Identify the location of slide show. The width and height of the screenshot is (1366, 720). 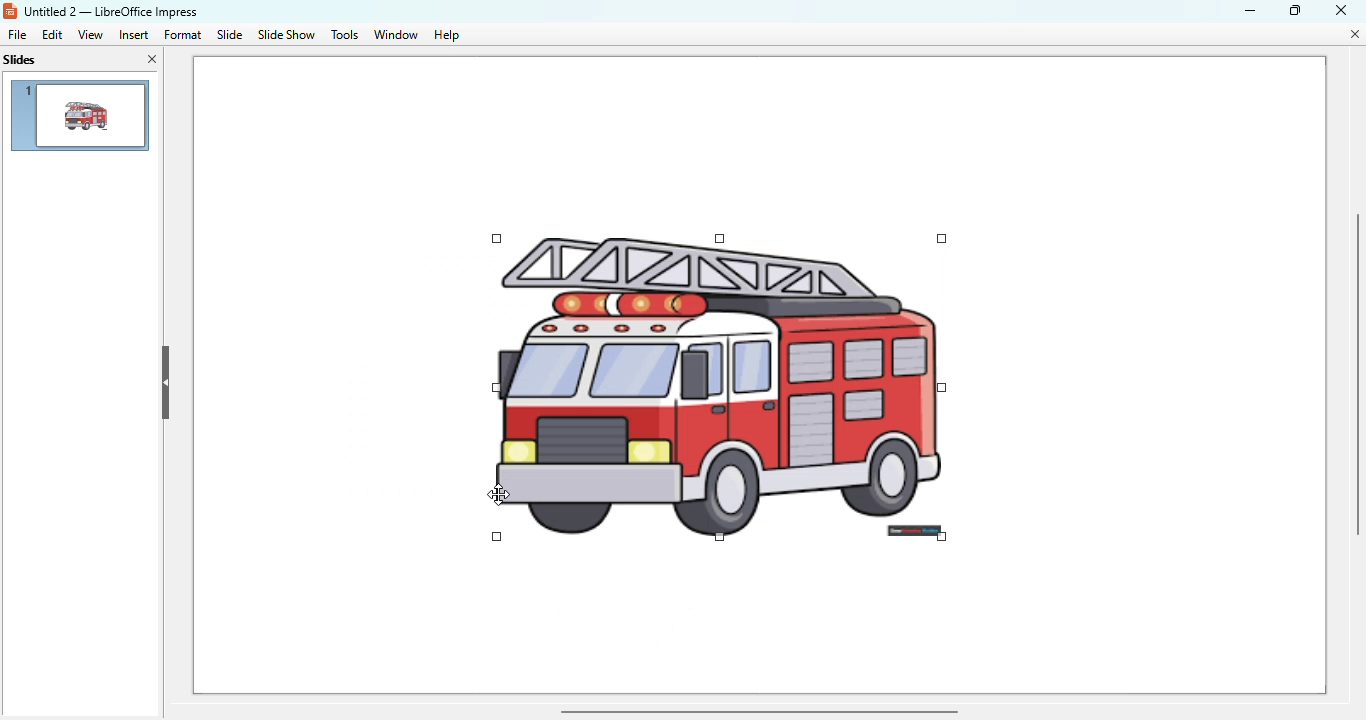
(287, 34).